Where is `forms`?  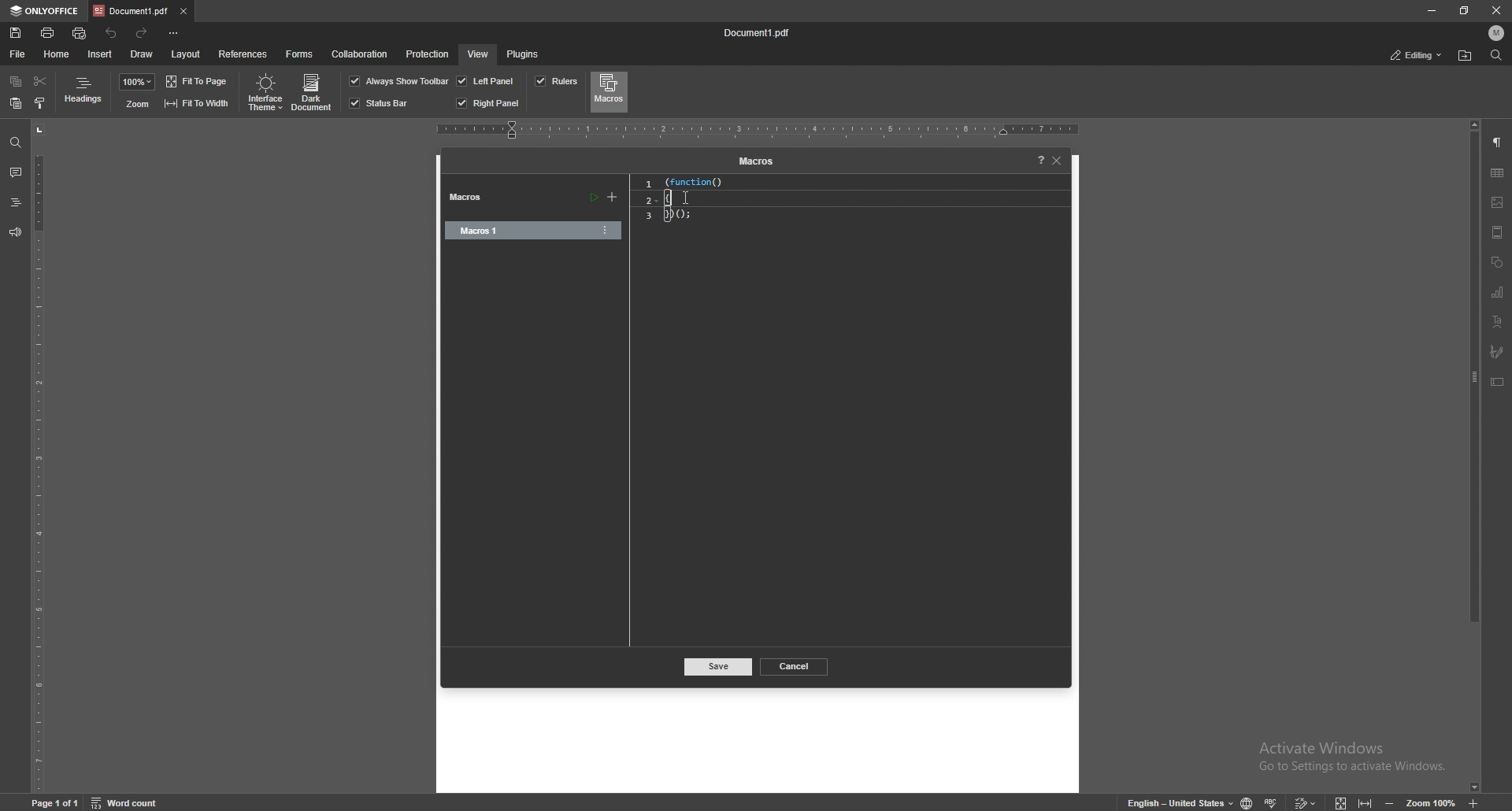 forms is located at coordinates (301, 53).